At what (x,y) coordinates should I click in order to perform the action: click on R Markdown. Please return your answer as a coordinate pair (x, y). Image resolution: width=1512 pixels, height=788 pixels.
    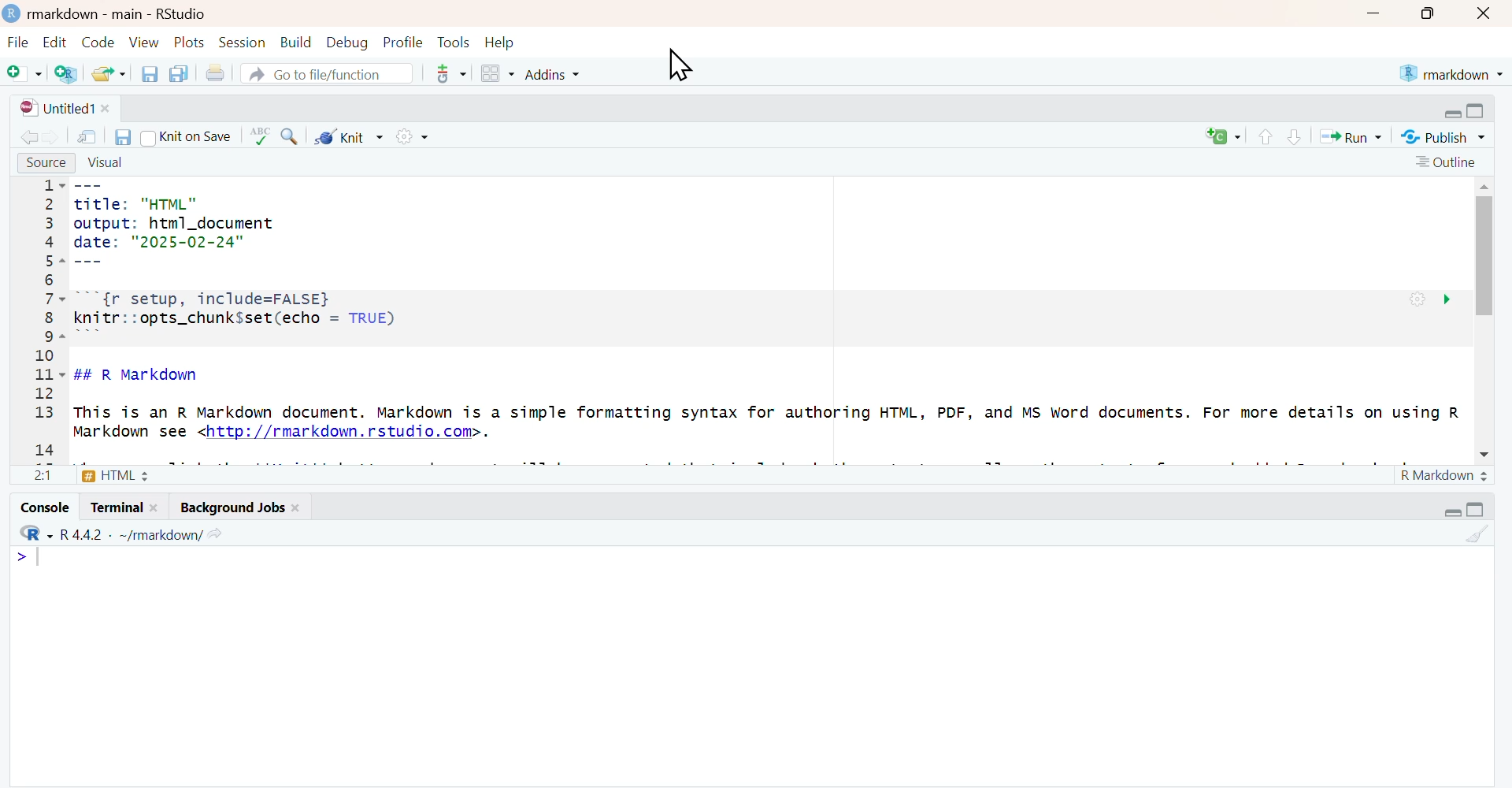
    Looking at the image, I should click on (1446, 475).